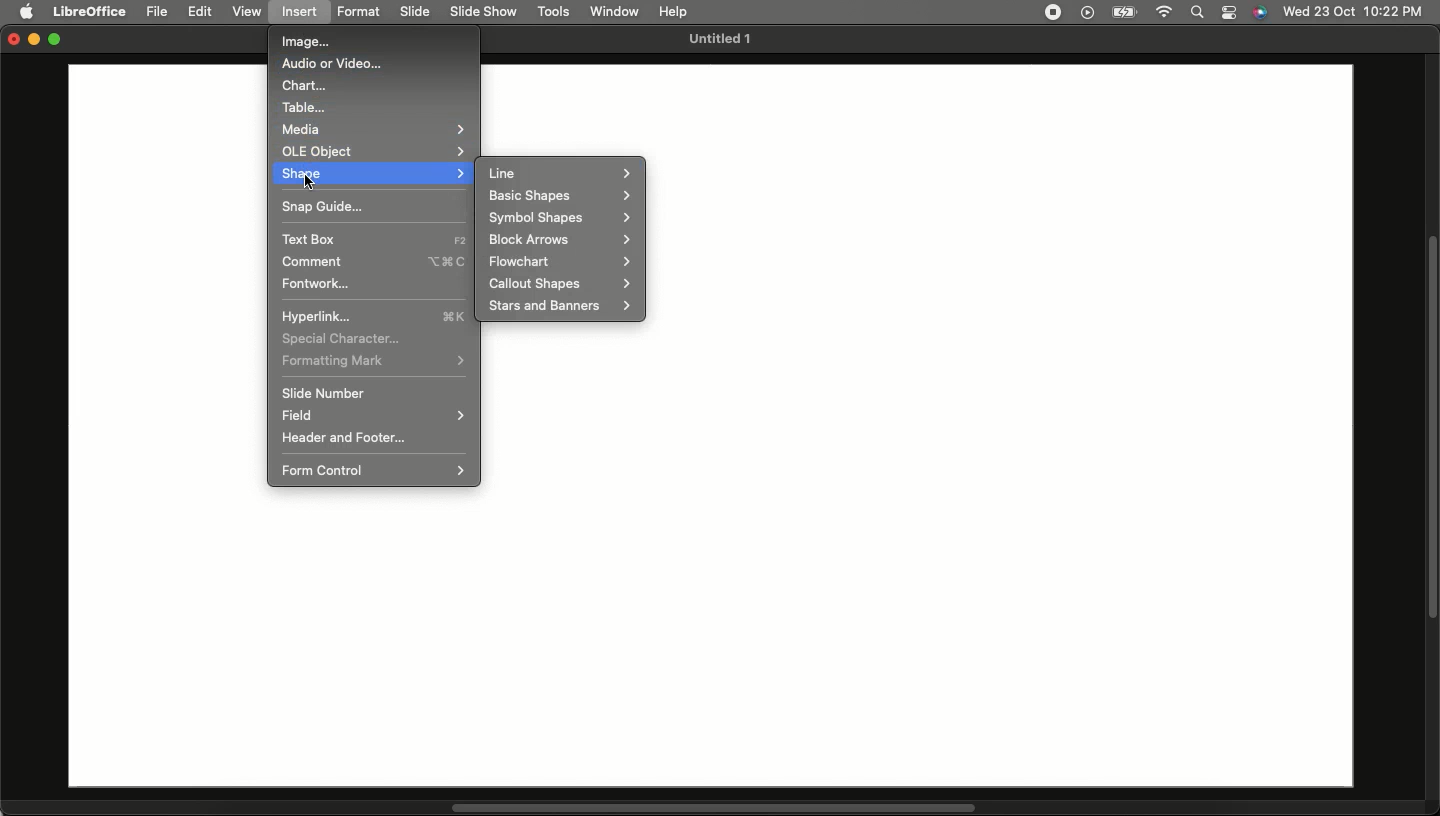  I want to click on Field, so click(374, 416).